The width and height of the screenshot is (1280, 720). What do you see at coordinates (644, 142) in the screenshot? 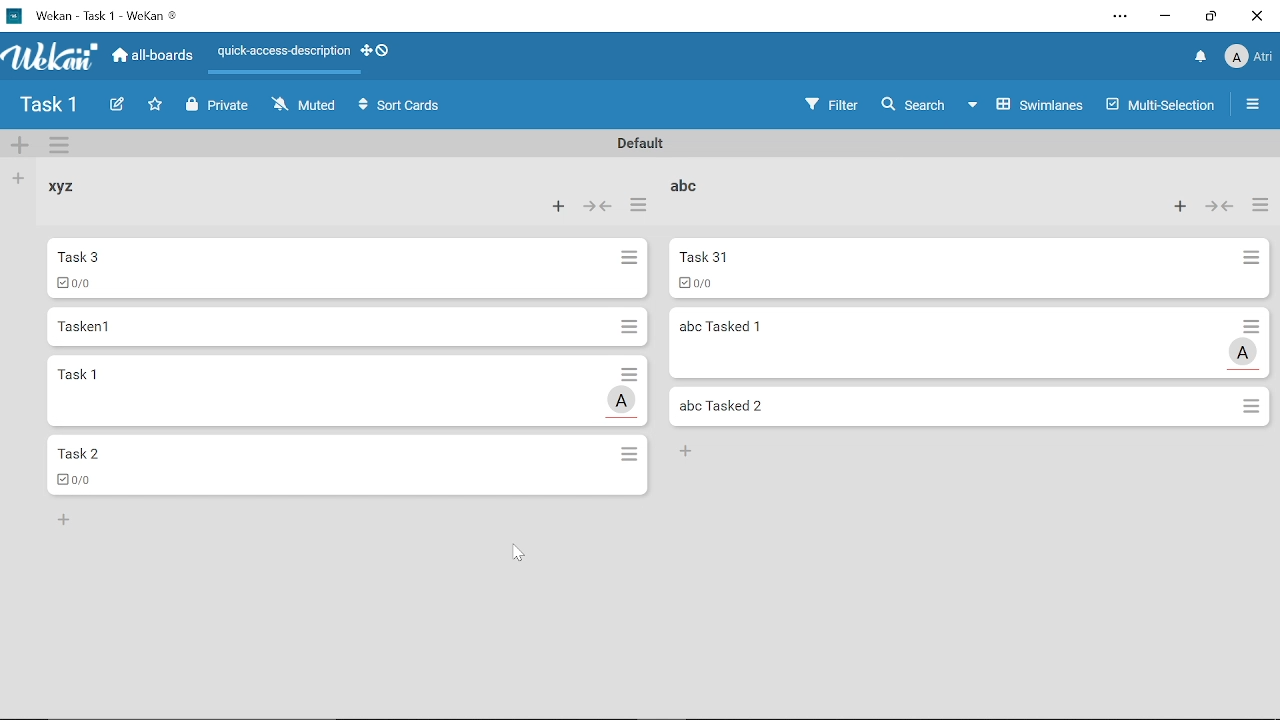
I see `Default` at bounding box center [644, 142].